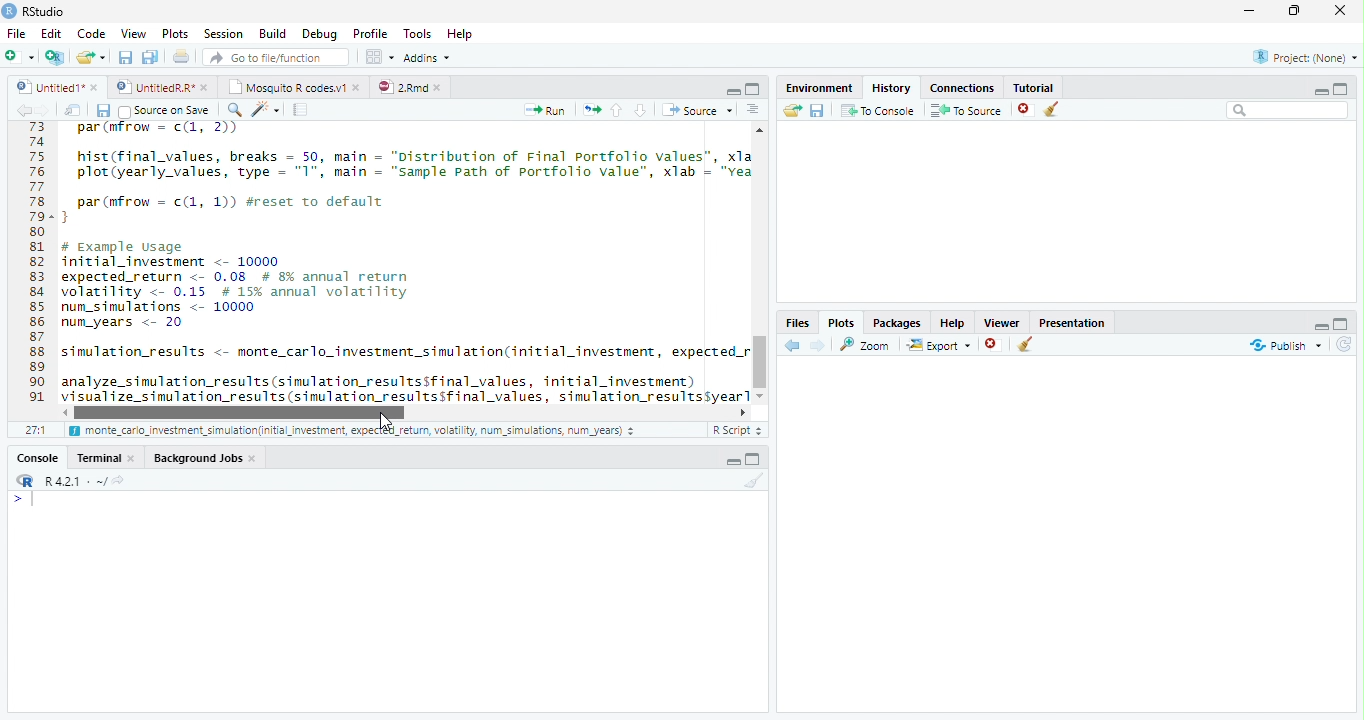 Image resolution: width=1364 pixels, height=720 pixels. Describe the element at coordinates (737, 430) in the screenshot. I see `R Script` at that location.